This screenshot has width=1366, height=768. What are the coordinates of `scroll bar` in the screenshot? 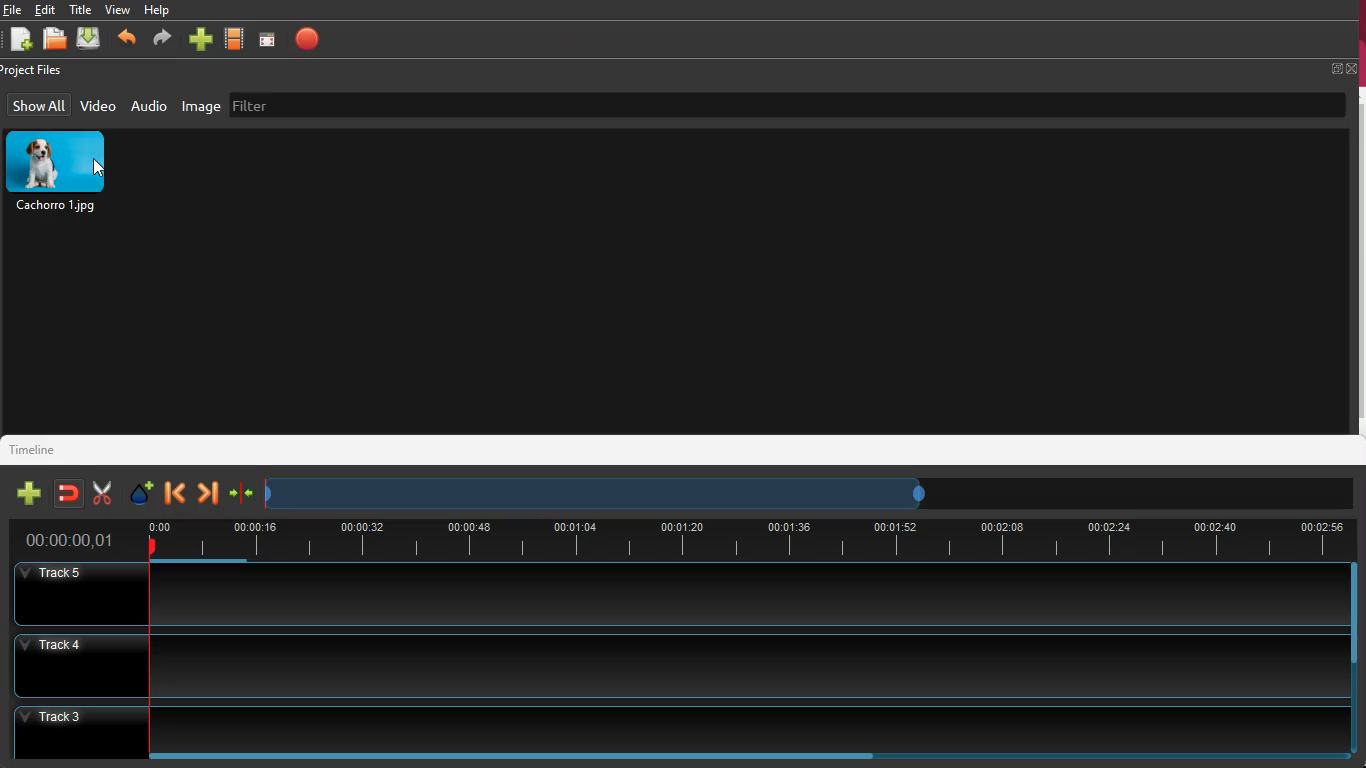 It's located at (1353, 616).